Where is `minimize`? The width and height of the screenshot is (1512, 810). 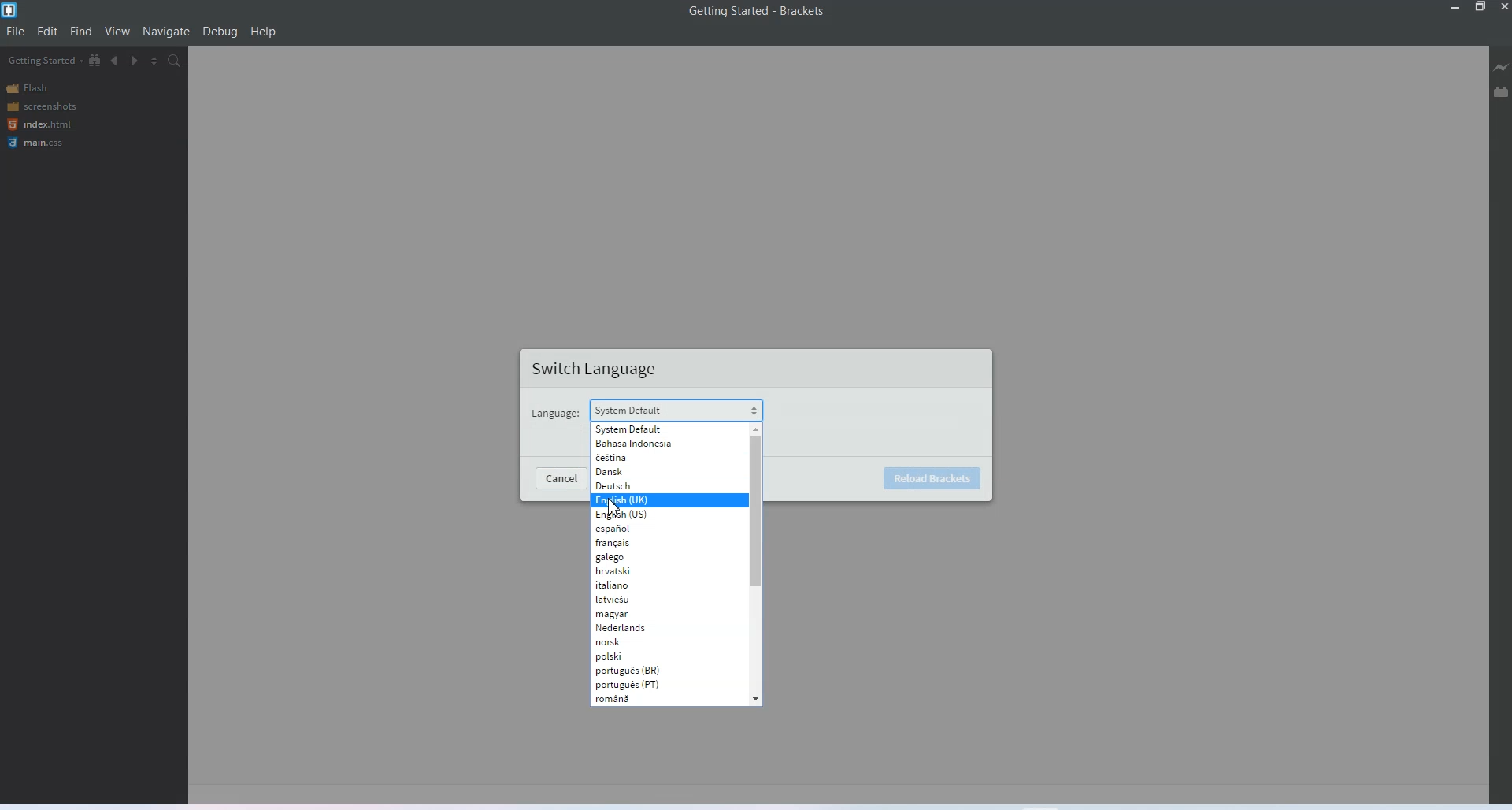 minimize is located at coordinates (1454, 8).